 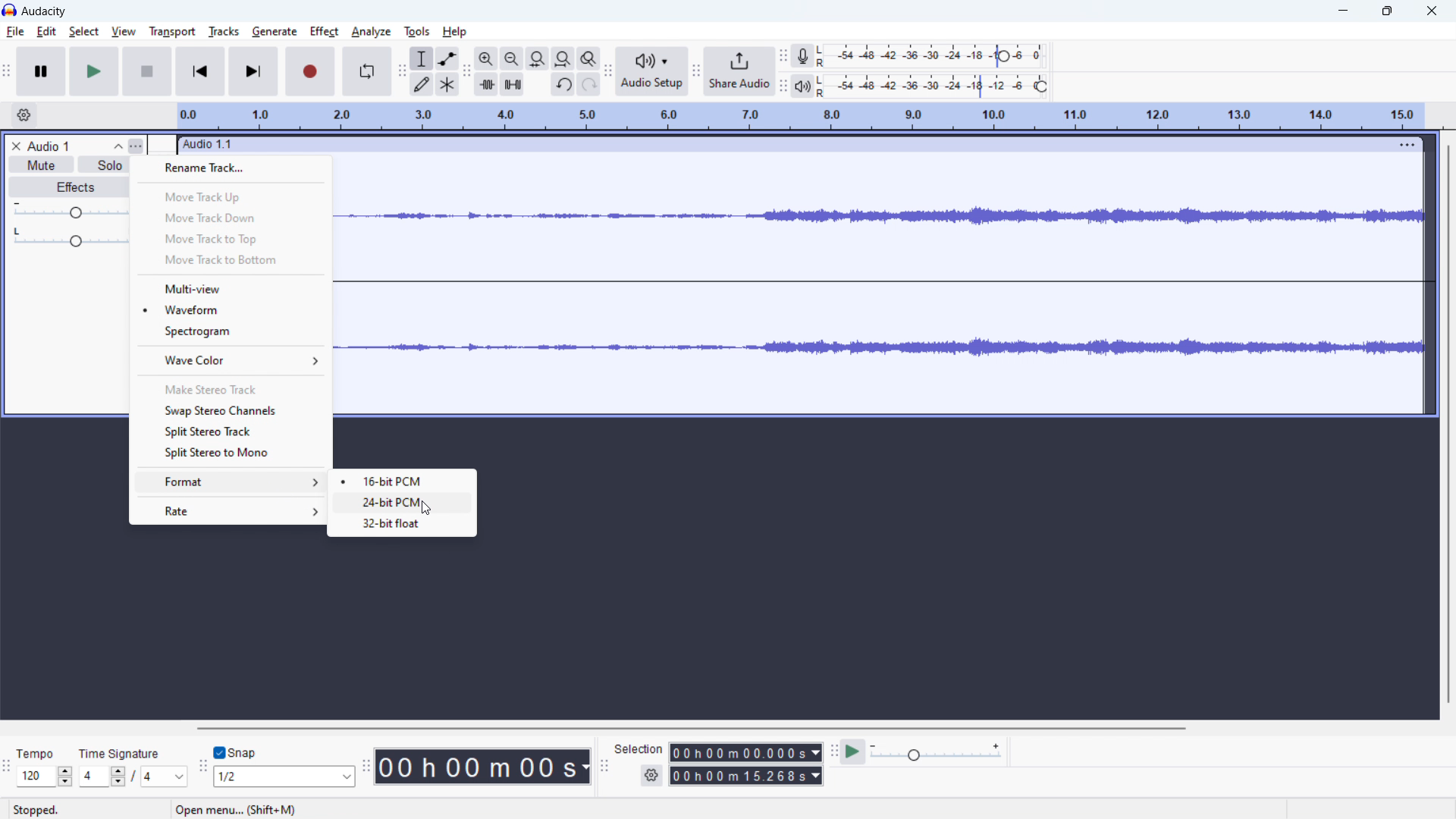 What do you see at coordinates (231, 331) in the screenshot?
I see `spectogram` at bounding box center [231, 331].